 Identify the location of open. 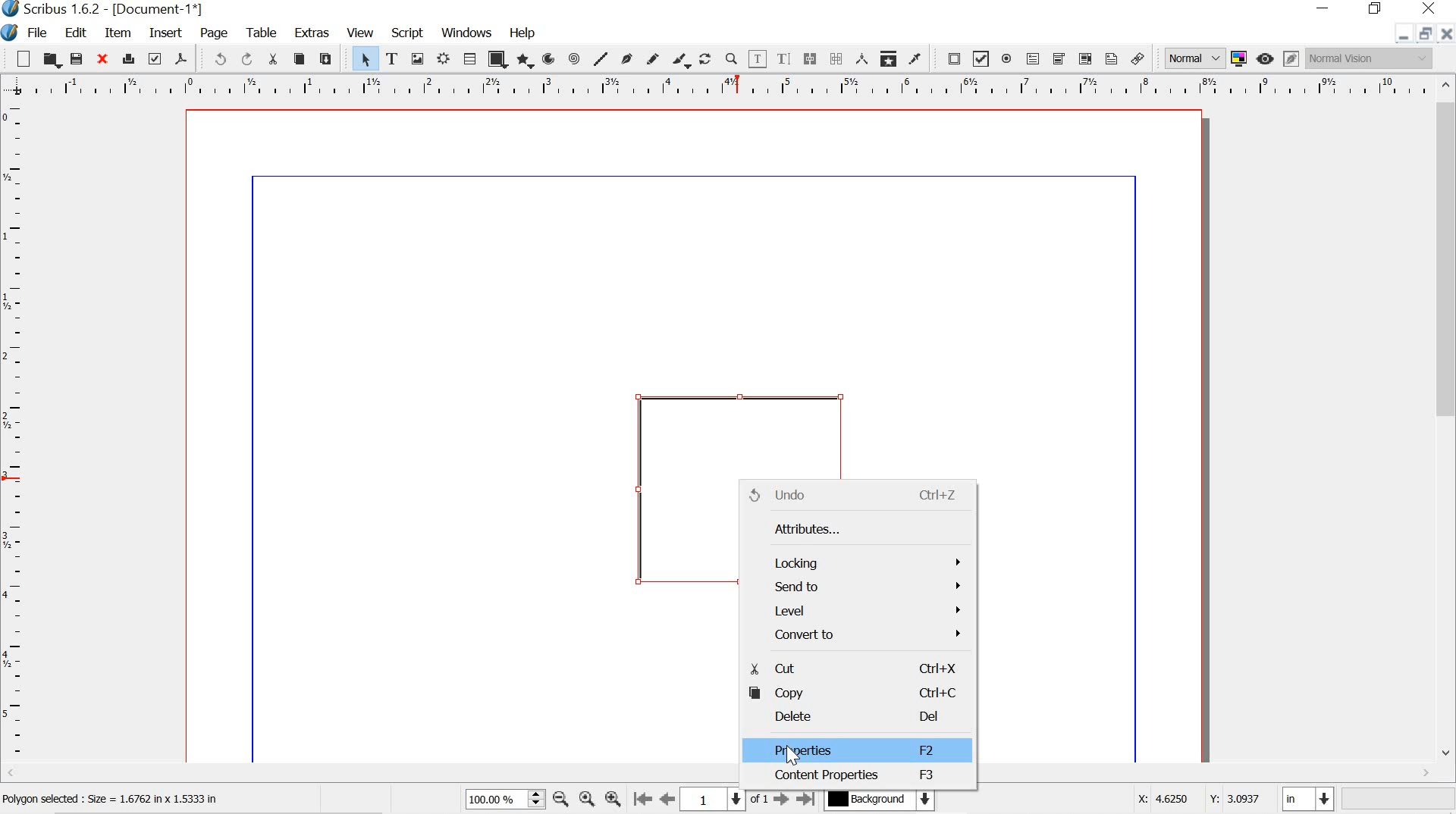
(52, 60).